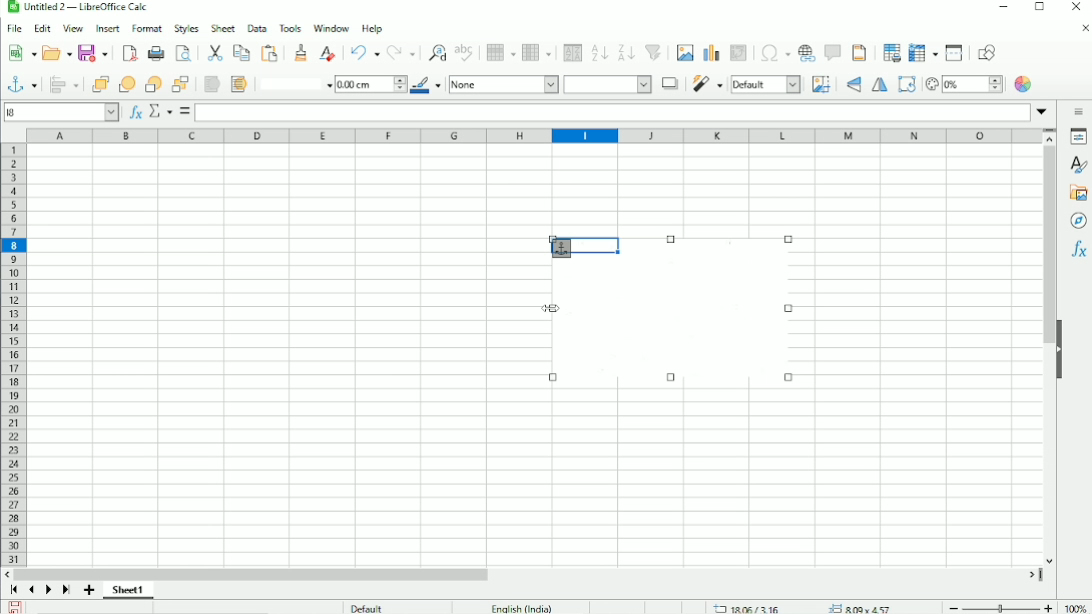 The height and width of the screenshot is (614, 1092). I want to click on Data, so click(256, 28).